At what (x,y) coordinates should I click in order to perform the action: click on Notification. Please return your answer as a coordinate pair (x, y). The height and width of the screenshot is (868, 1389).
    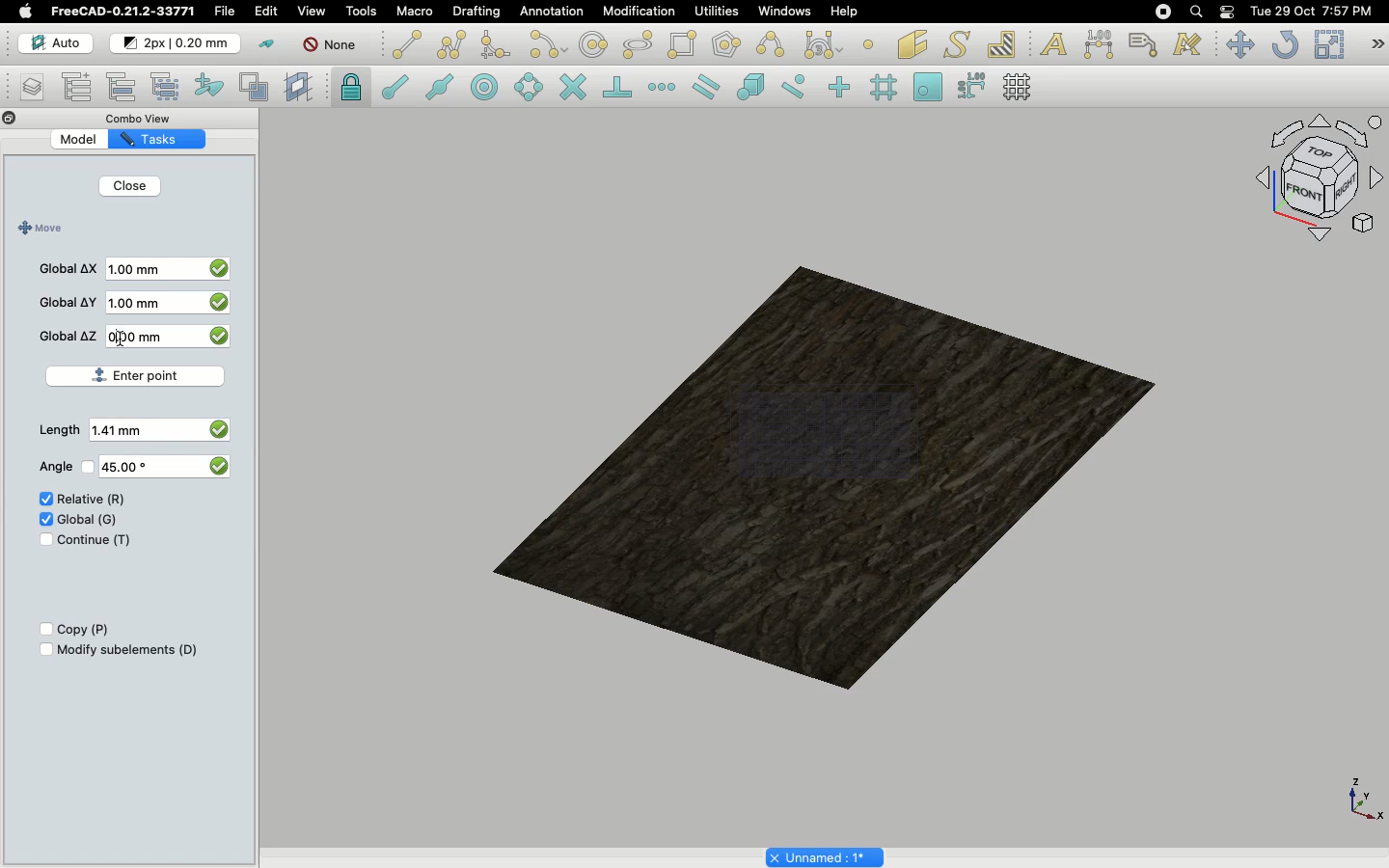
    Looking at the image, I should click on (1229, 11).